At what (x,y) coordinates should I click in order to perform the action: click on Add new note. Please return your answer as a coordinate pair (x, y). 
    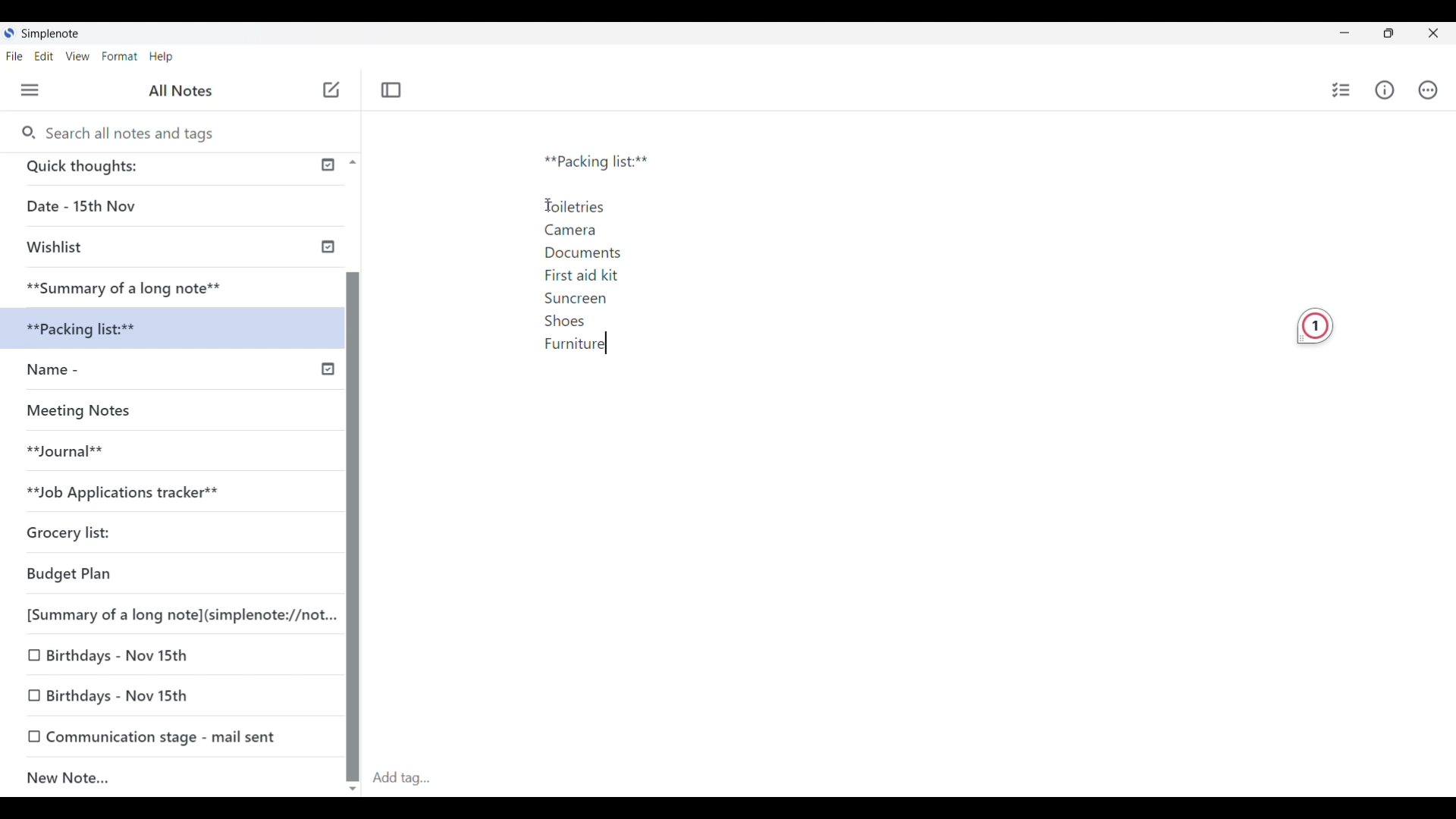
    Looking at the image, I should click on (331, 89).